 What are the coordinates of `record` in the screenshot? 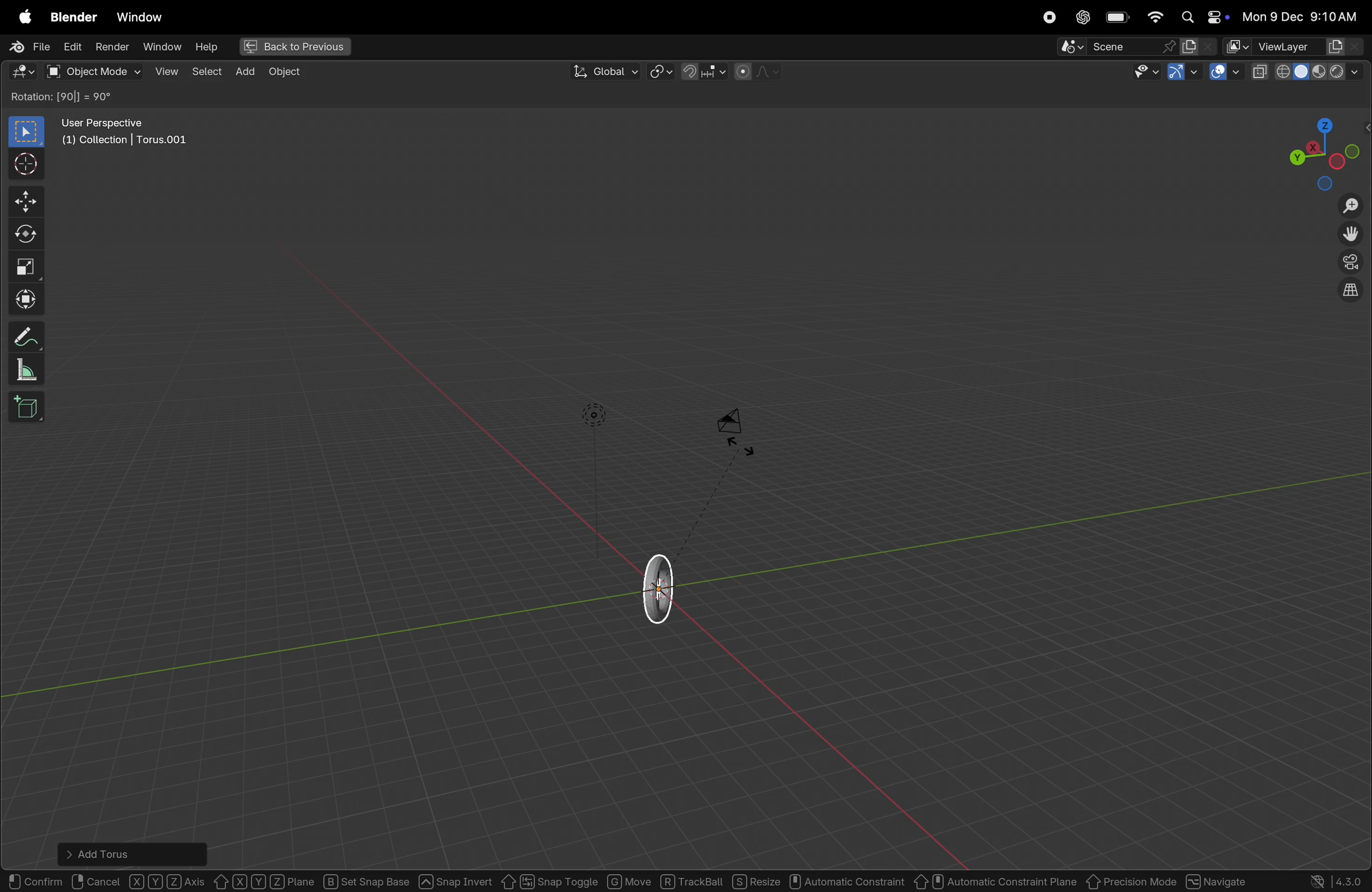 It's located at (1046, 17).